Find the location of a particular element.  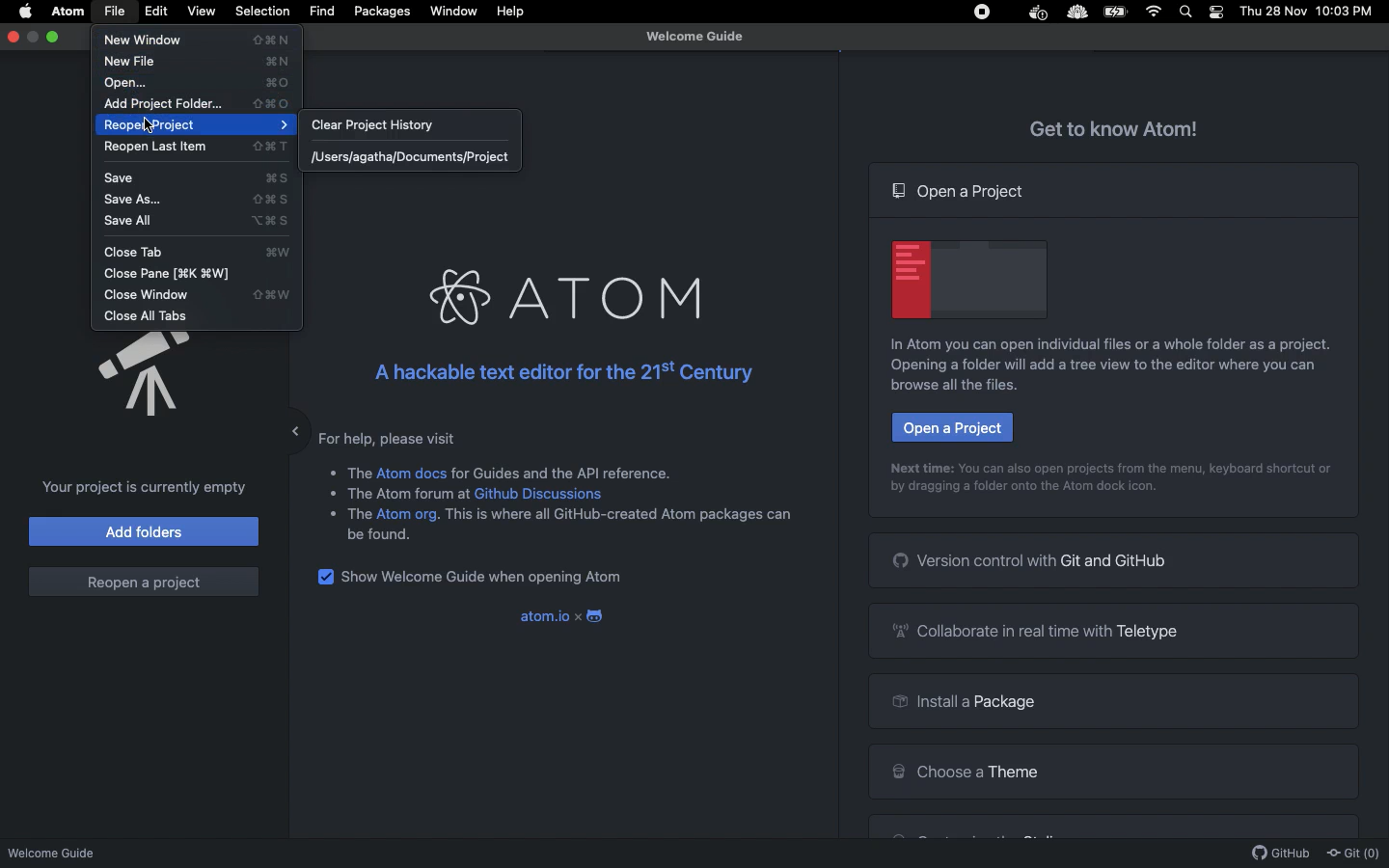

Date is located at coordinates (1274, 12).